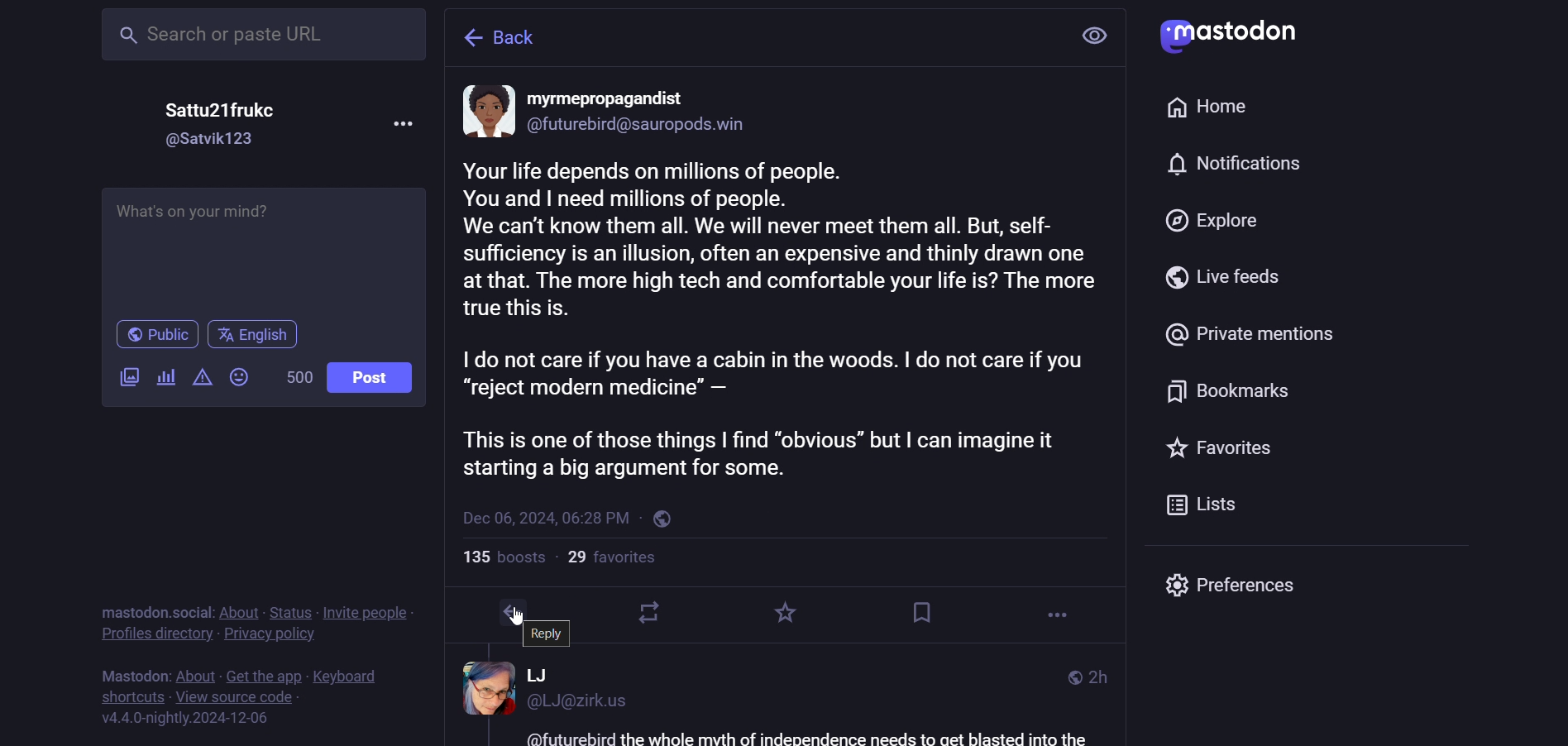  I want to click on version, so click(190, 719).